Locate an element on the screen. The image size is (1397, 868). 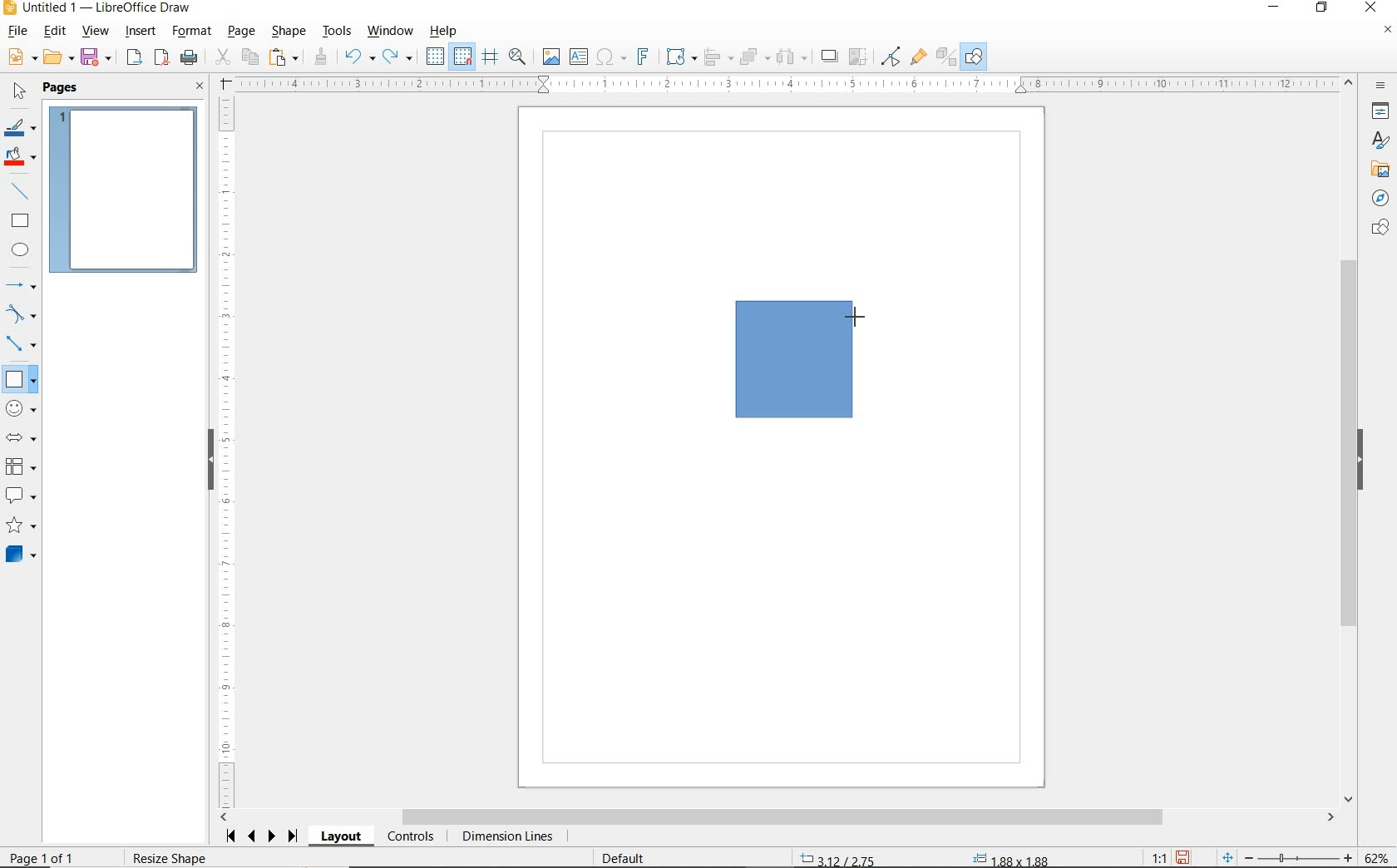
NEW is located at coordinates (21, 57).